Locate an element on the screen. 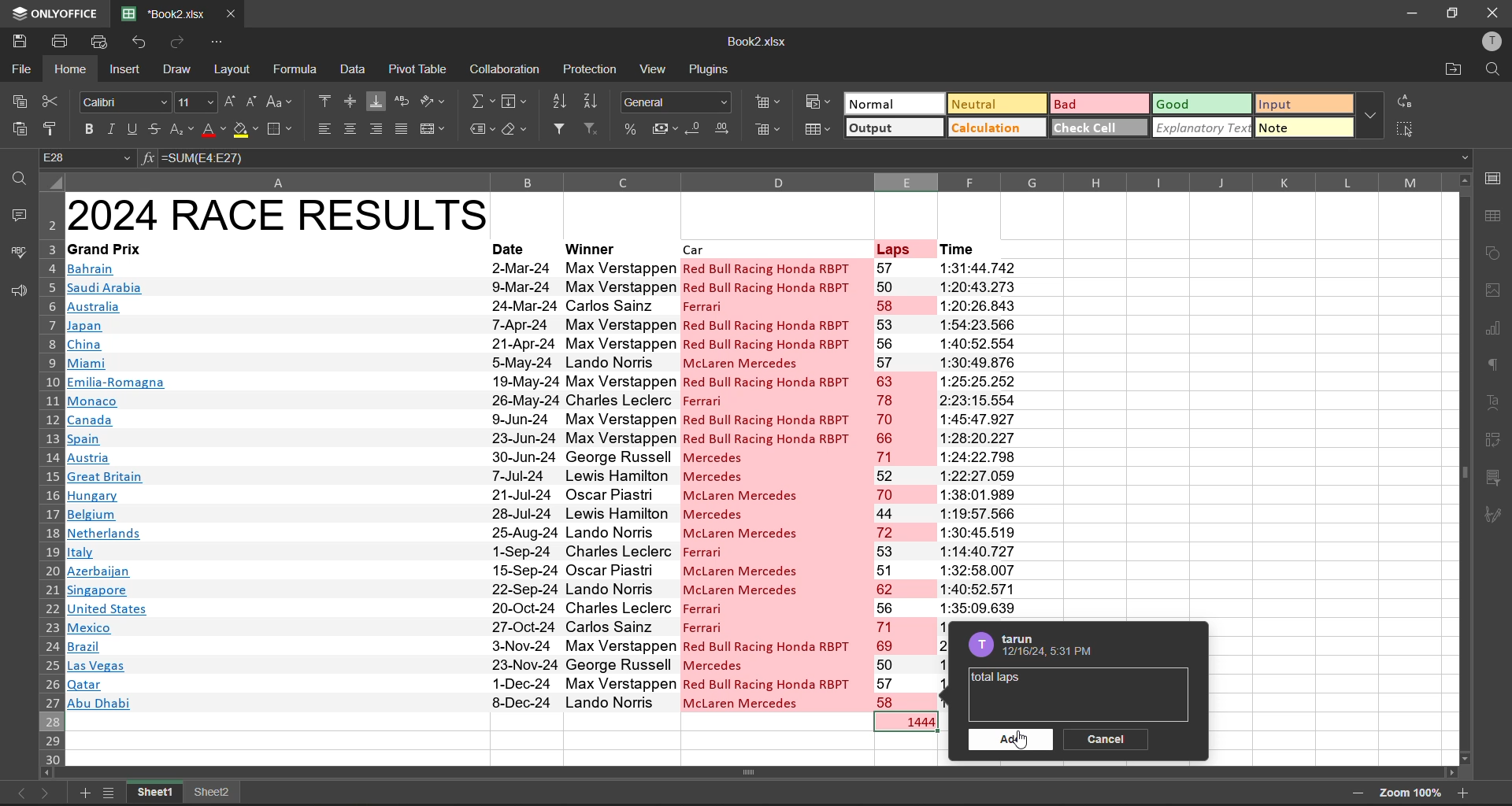 The height and width of the screenshot is (806, 1512). fields is located at coordinates (510, 105).